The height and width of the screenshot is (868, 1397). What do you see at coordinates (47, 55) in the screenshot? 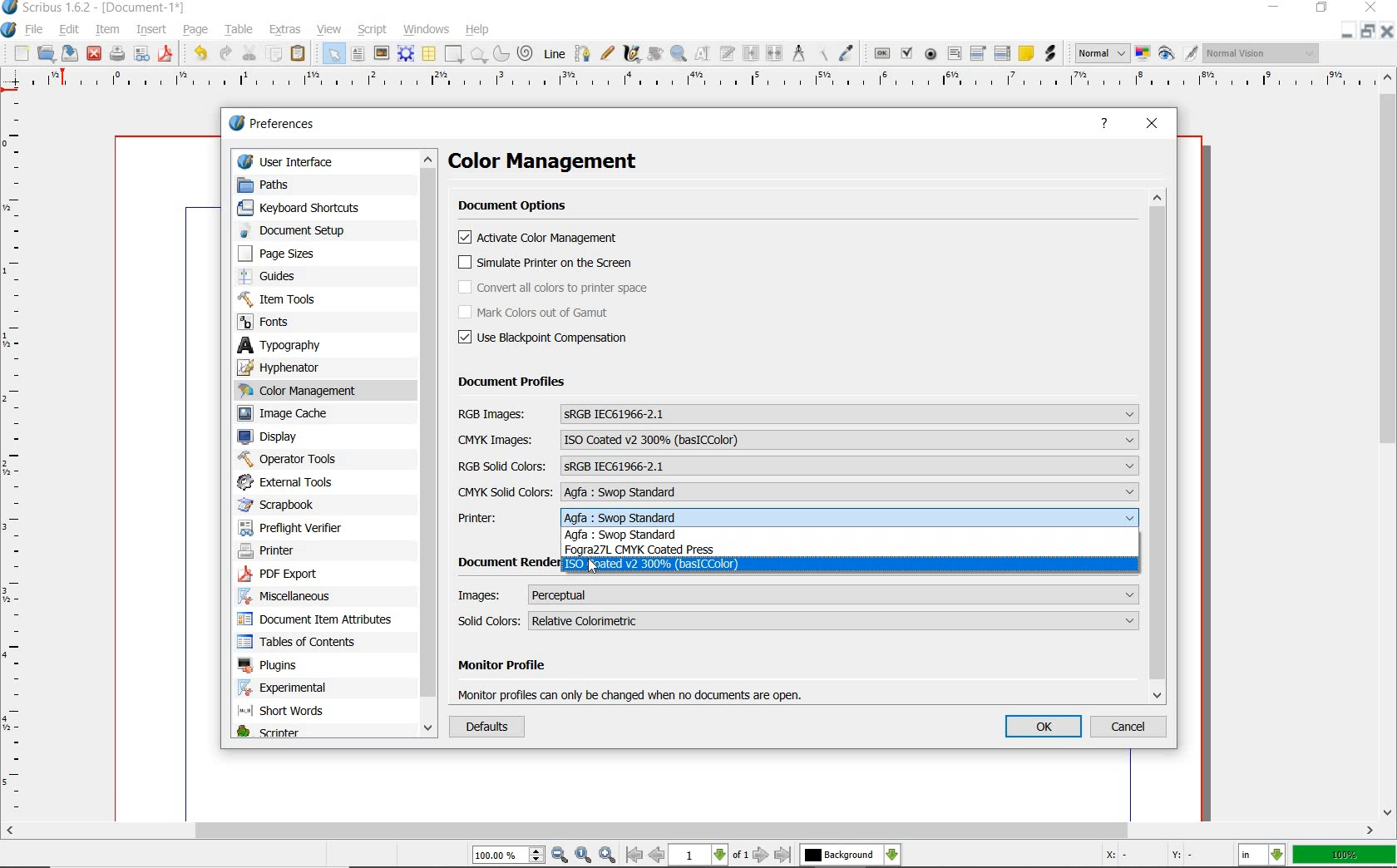
I see `open` at bounding box center [47, 55].